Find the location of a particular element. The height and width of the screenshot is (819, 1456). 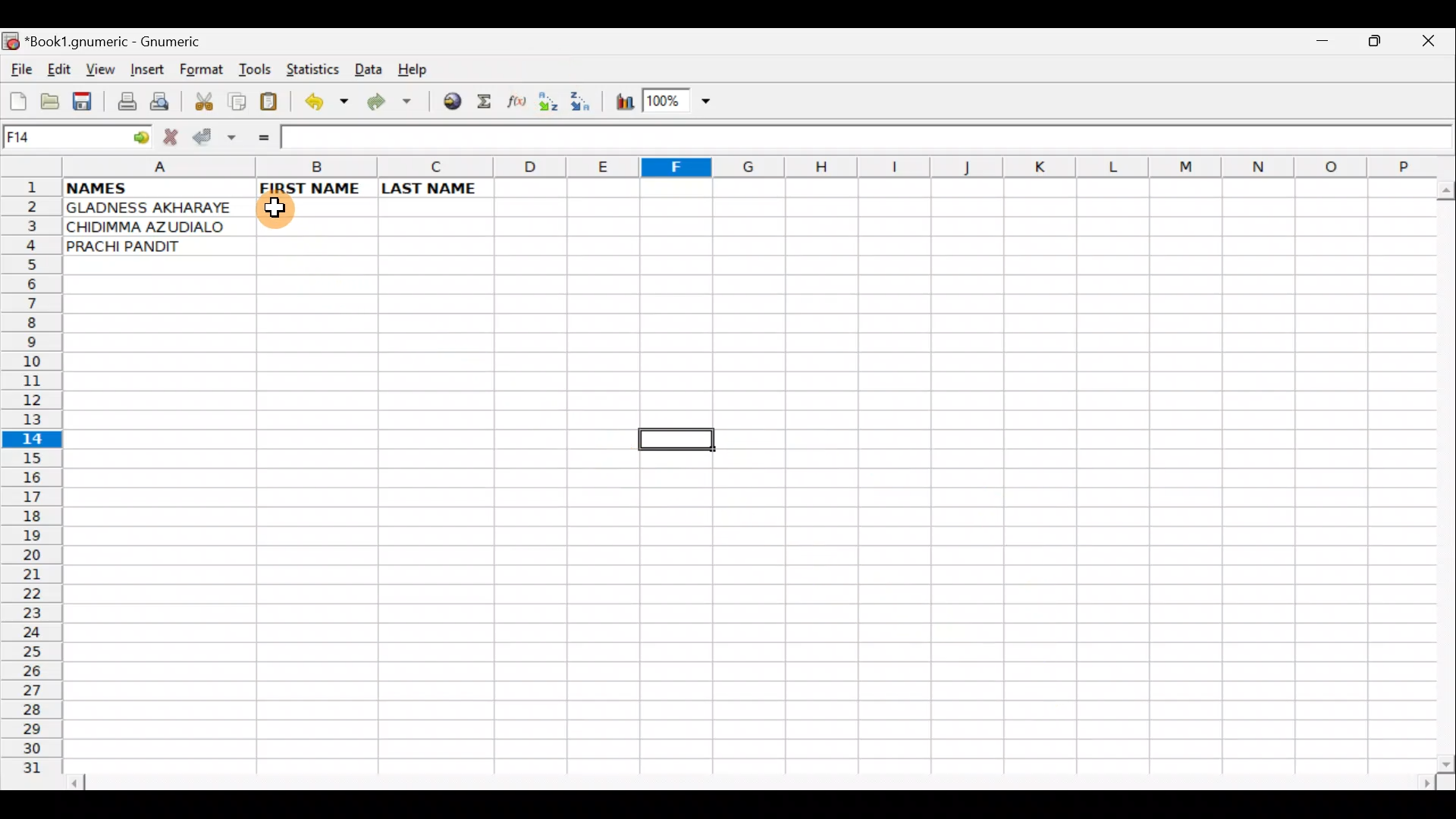

Scroll bar is located at coordinates (1441, 473).